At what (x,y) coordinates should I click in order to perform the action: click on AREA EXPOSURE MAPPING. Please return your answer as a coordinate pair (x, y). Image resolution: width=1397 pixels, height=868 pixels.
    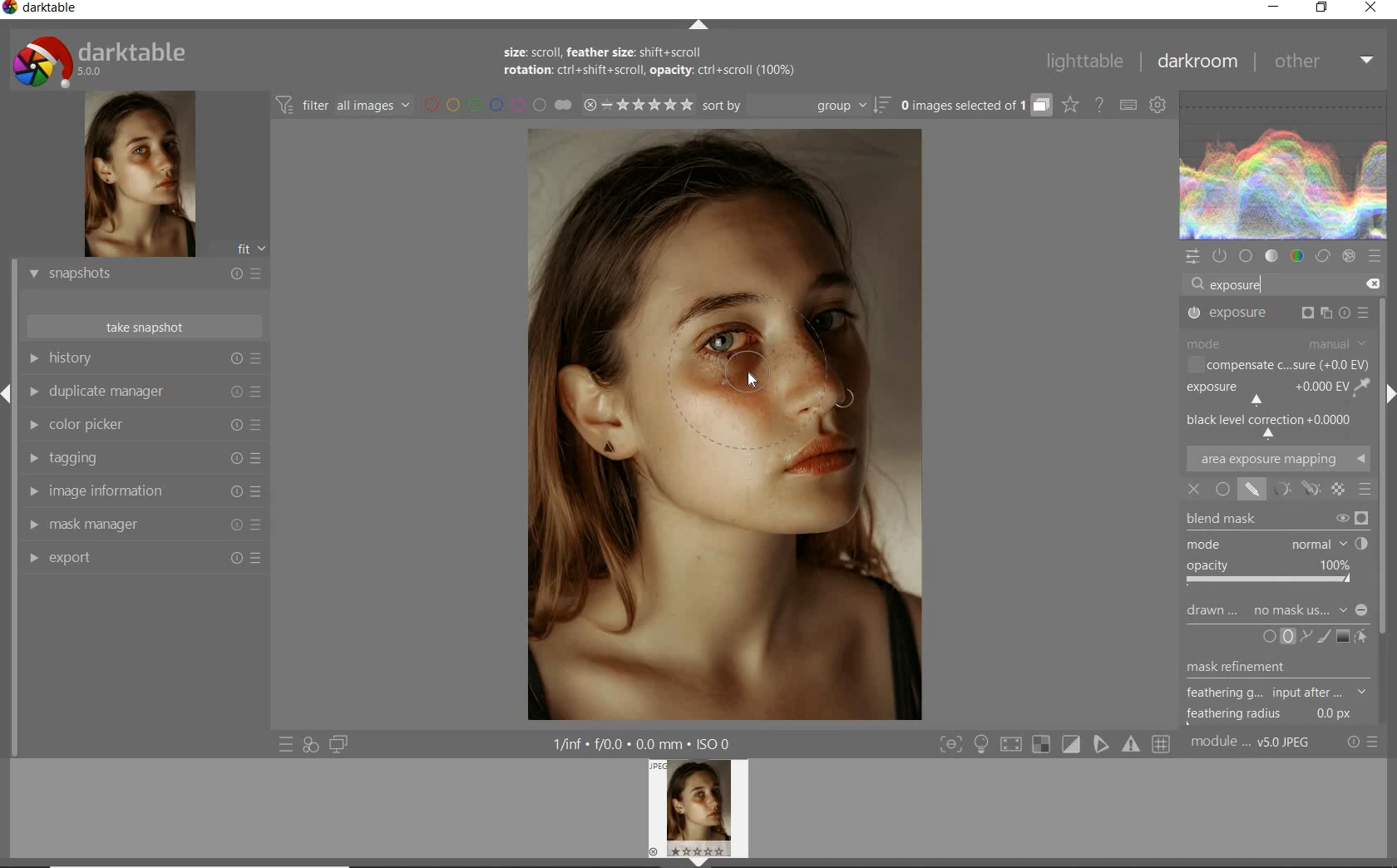
    Looking at the image, I should click on (1276, 460).